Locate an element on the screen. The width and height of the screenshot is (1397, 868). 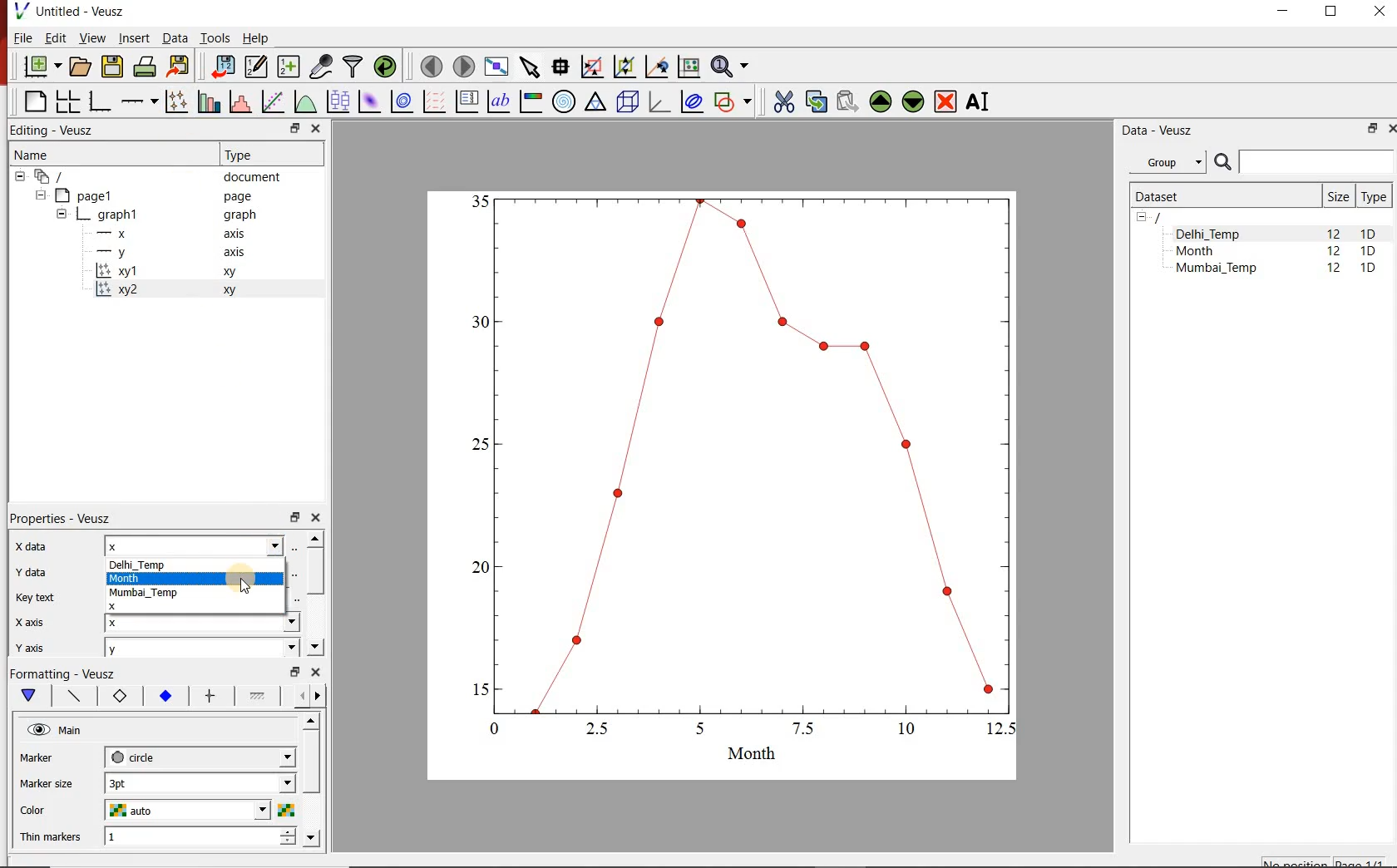
plot a vector field is located at coordinates (433, 102).